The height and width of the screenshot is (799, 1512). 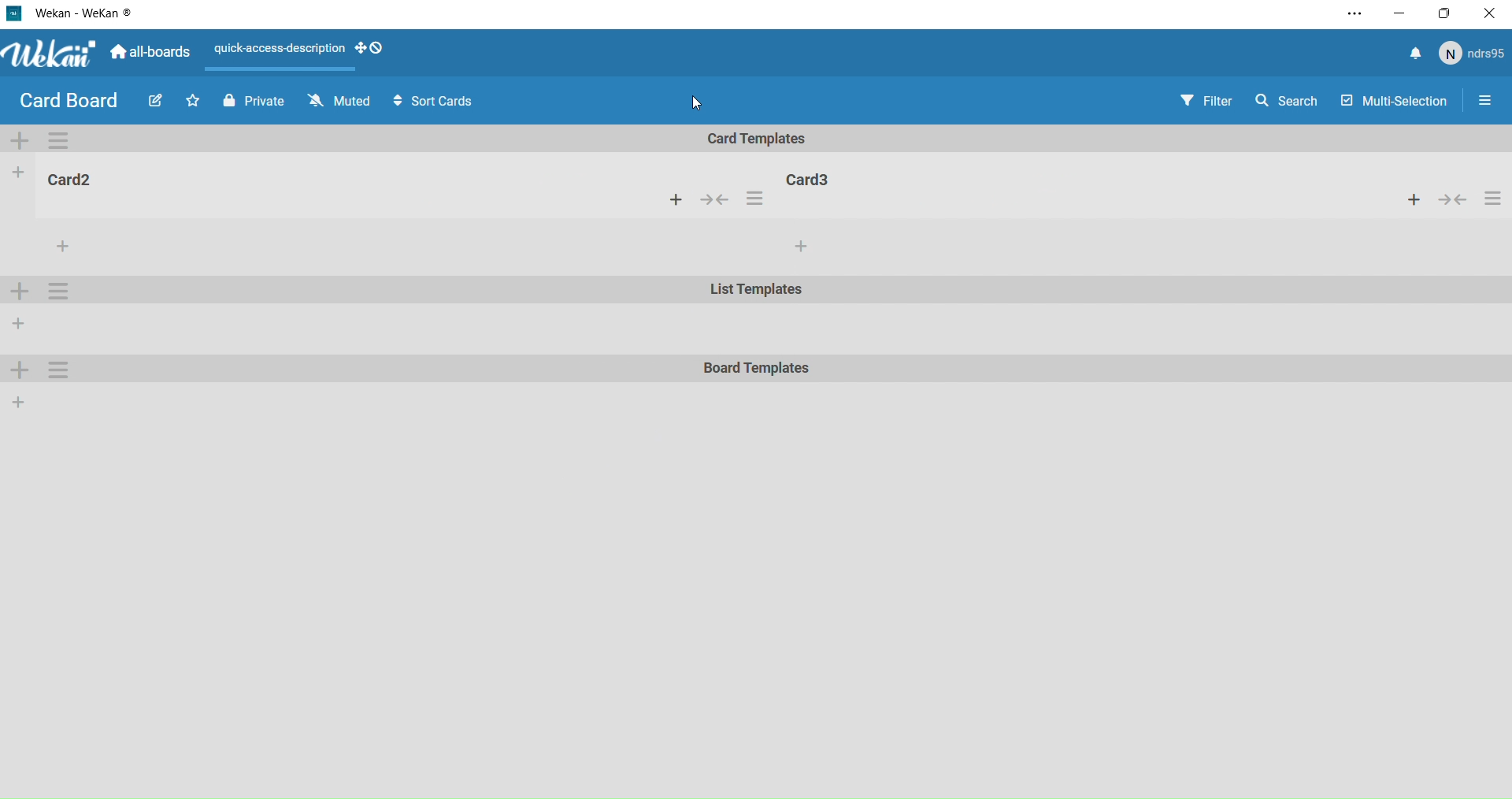 What do you see at coordinates (1288, 104) in the screenshot?
I see `Search` at bounding box center [1288, 104].